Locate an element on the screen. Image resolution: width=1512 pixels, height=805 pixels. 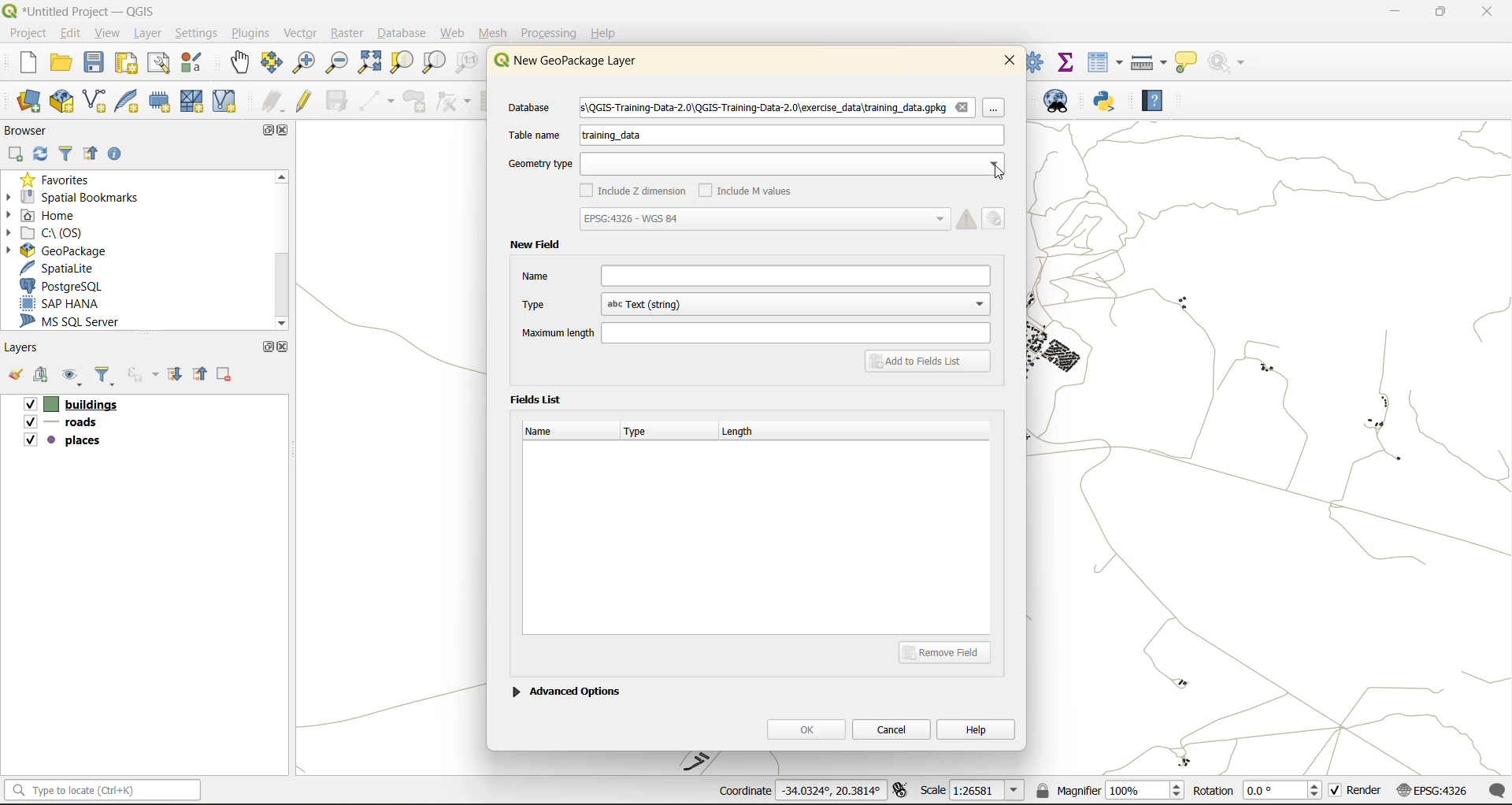
control panel is located at coordinates (1036, 61).